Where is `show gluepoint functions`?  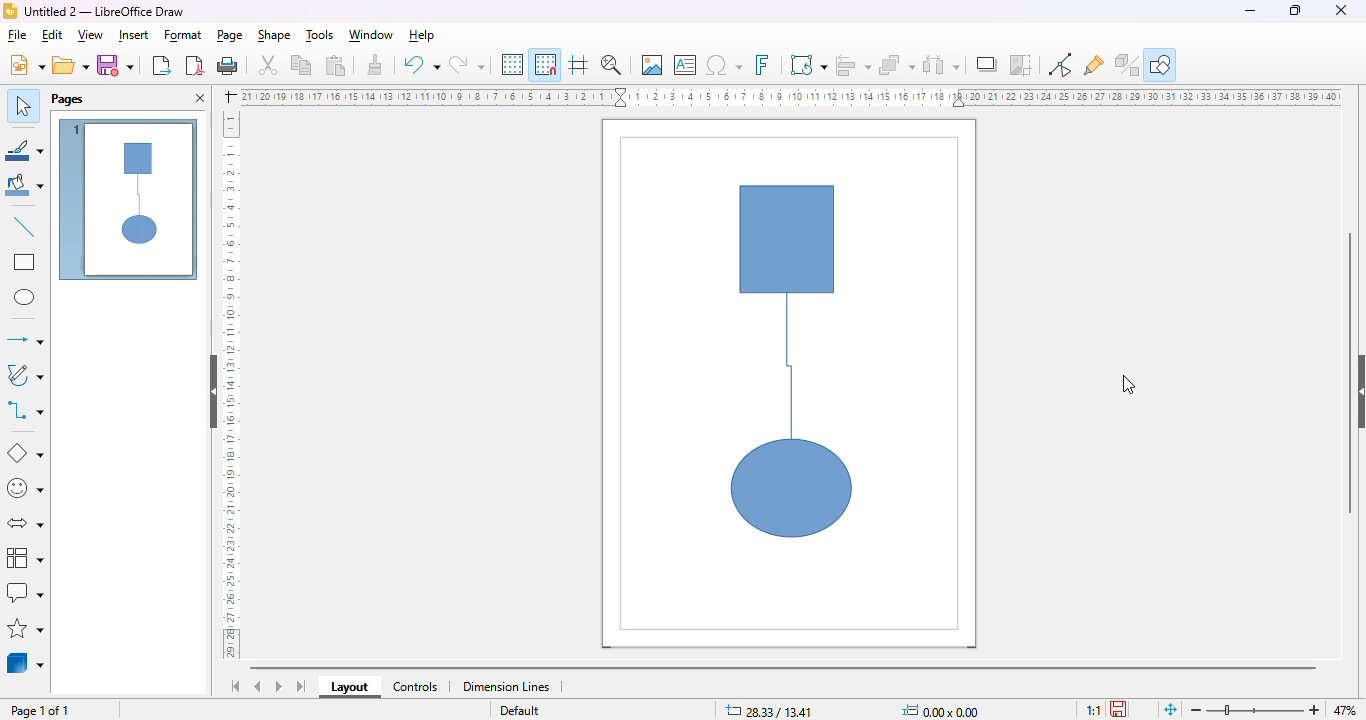 show gluepoint functions is located at coordinates (1094, 66).